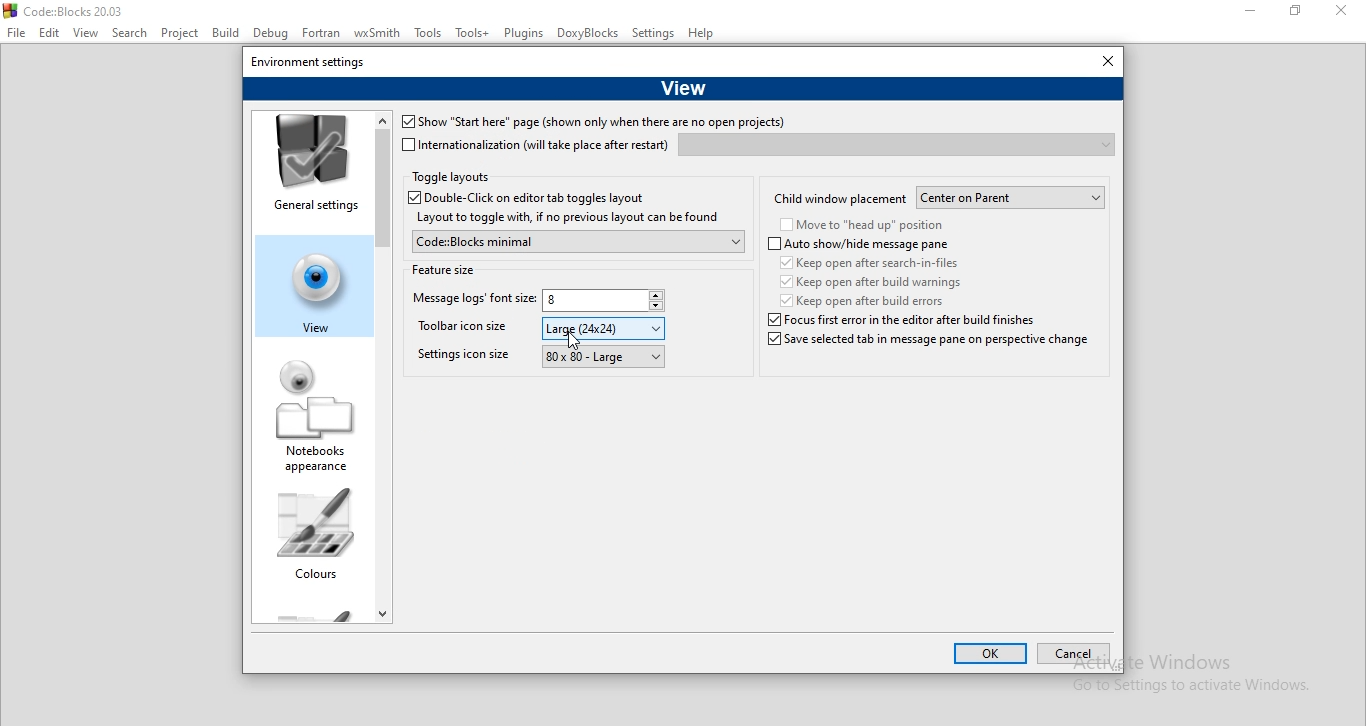 This screenshot has height=726, width=1366. What do you see at coordinates (868, 281) in the screenshot?
I see ` Keep open after build warnings` at bounding box center [868, 281].